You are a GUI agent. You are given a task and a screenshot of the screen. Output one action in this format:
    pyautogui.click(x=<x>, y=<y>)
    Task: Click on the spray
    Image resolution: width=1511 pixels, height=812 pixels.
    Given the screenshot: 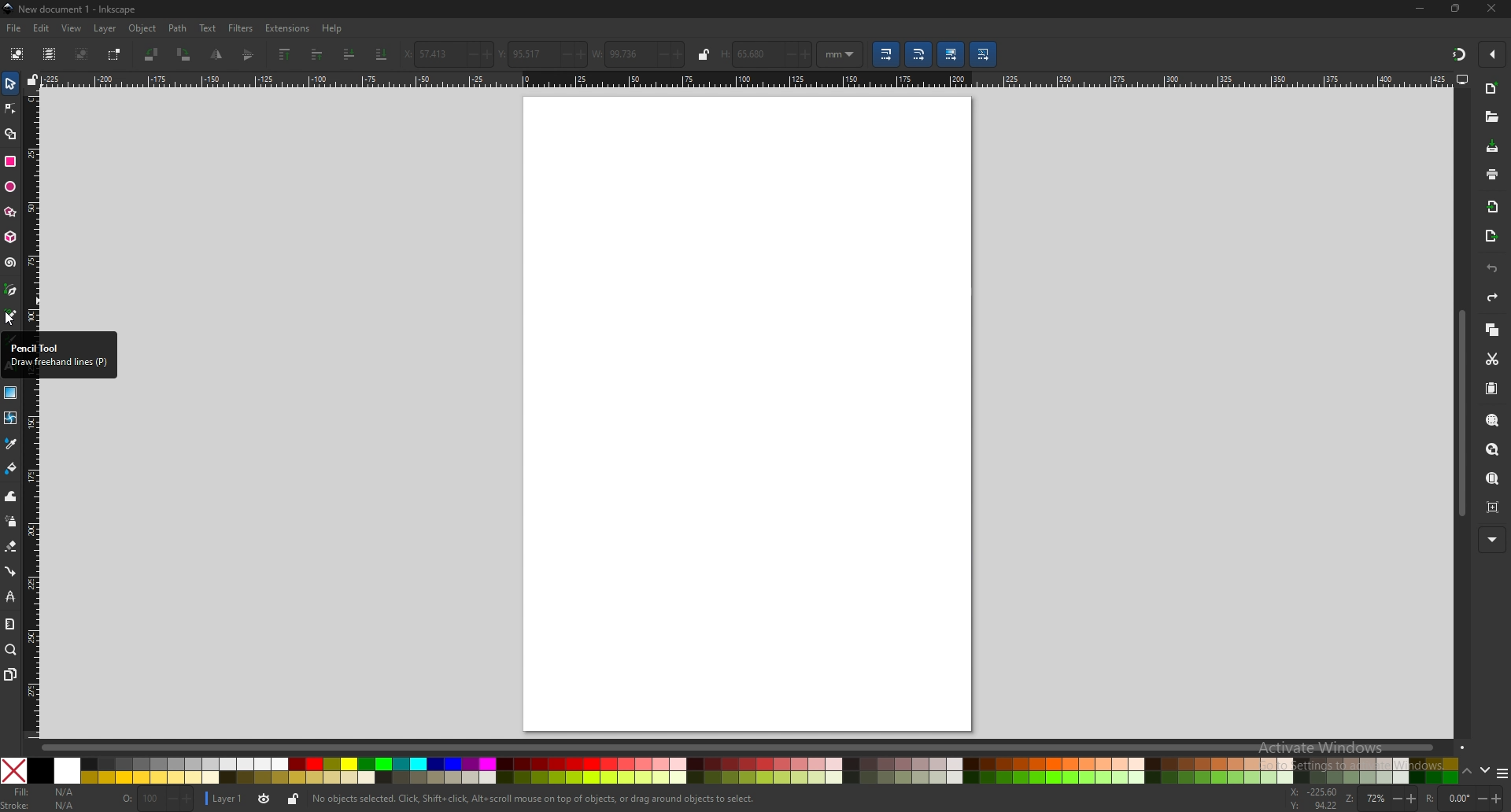 What is the action you would take?
    pyautogui.click(x=10, y=522)
    